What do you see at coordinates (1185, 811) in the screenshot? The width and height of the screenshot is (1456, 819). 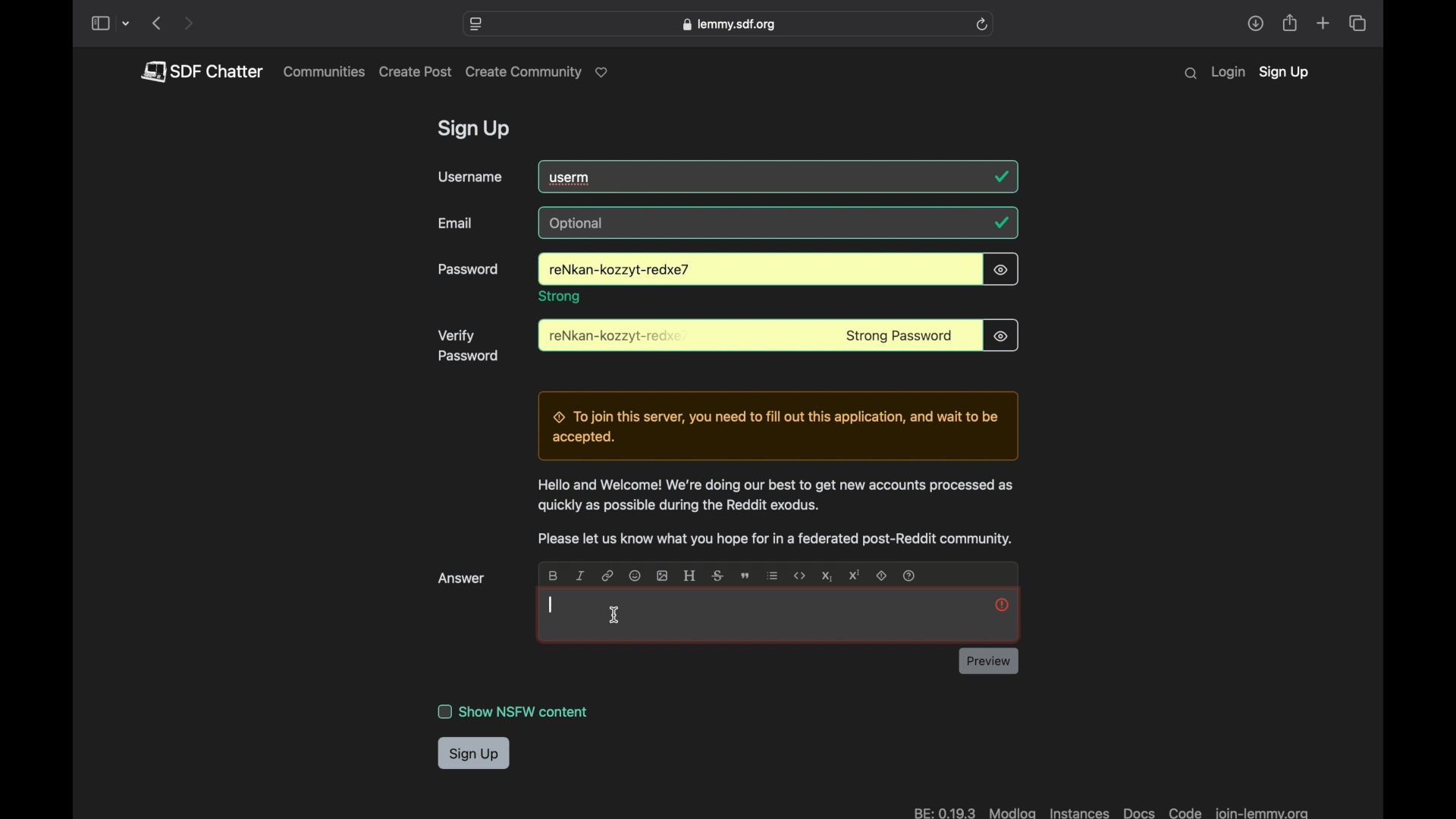 I see `code` at bounding box center [1185, 811].